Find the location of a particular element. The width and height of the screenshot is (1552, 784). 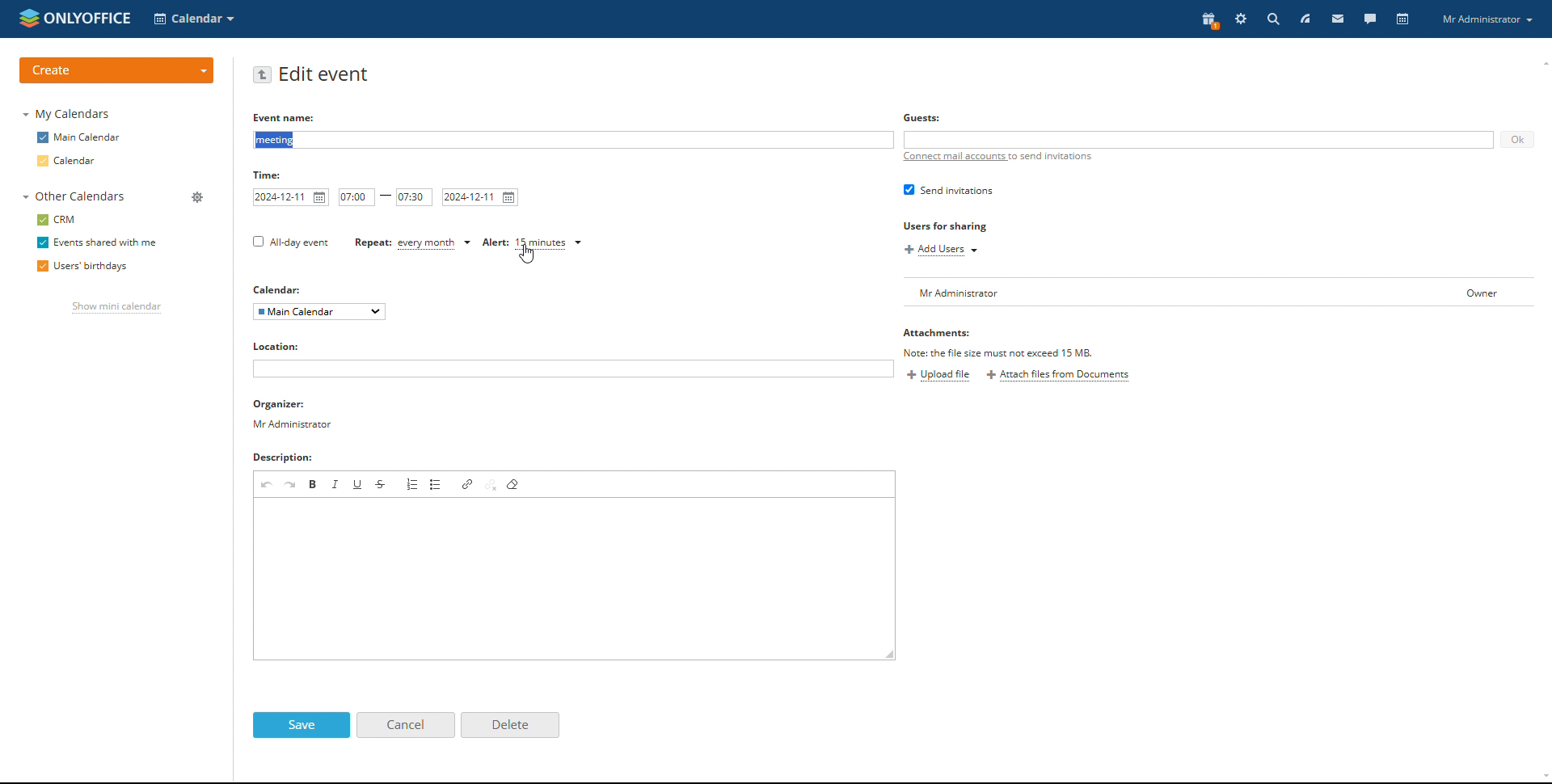

go back is located at coordinates (263, 75).